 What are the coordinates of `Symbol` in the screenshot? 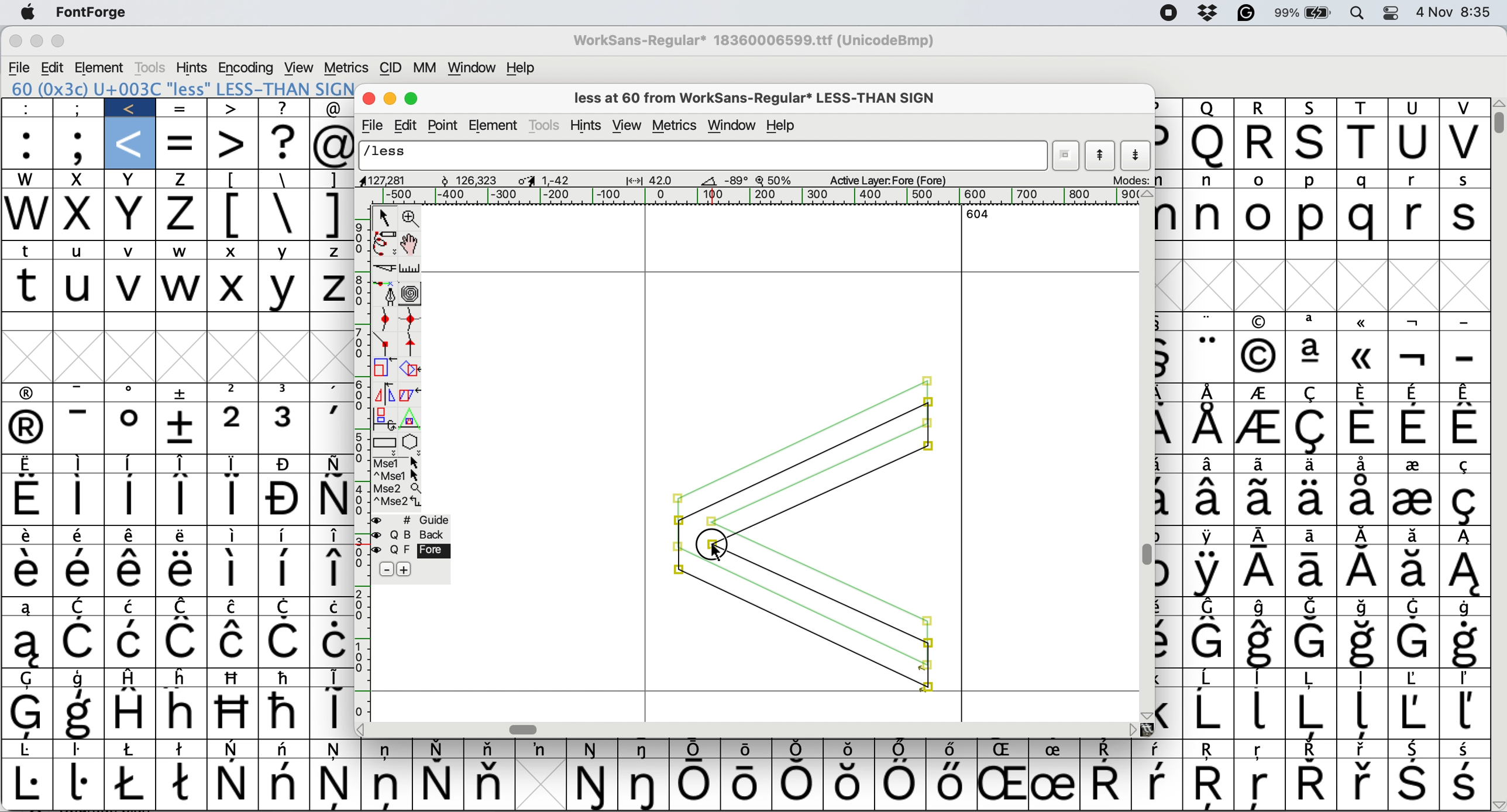 It's located at (1210, 356).